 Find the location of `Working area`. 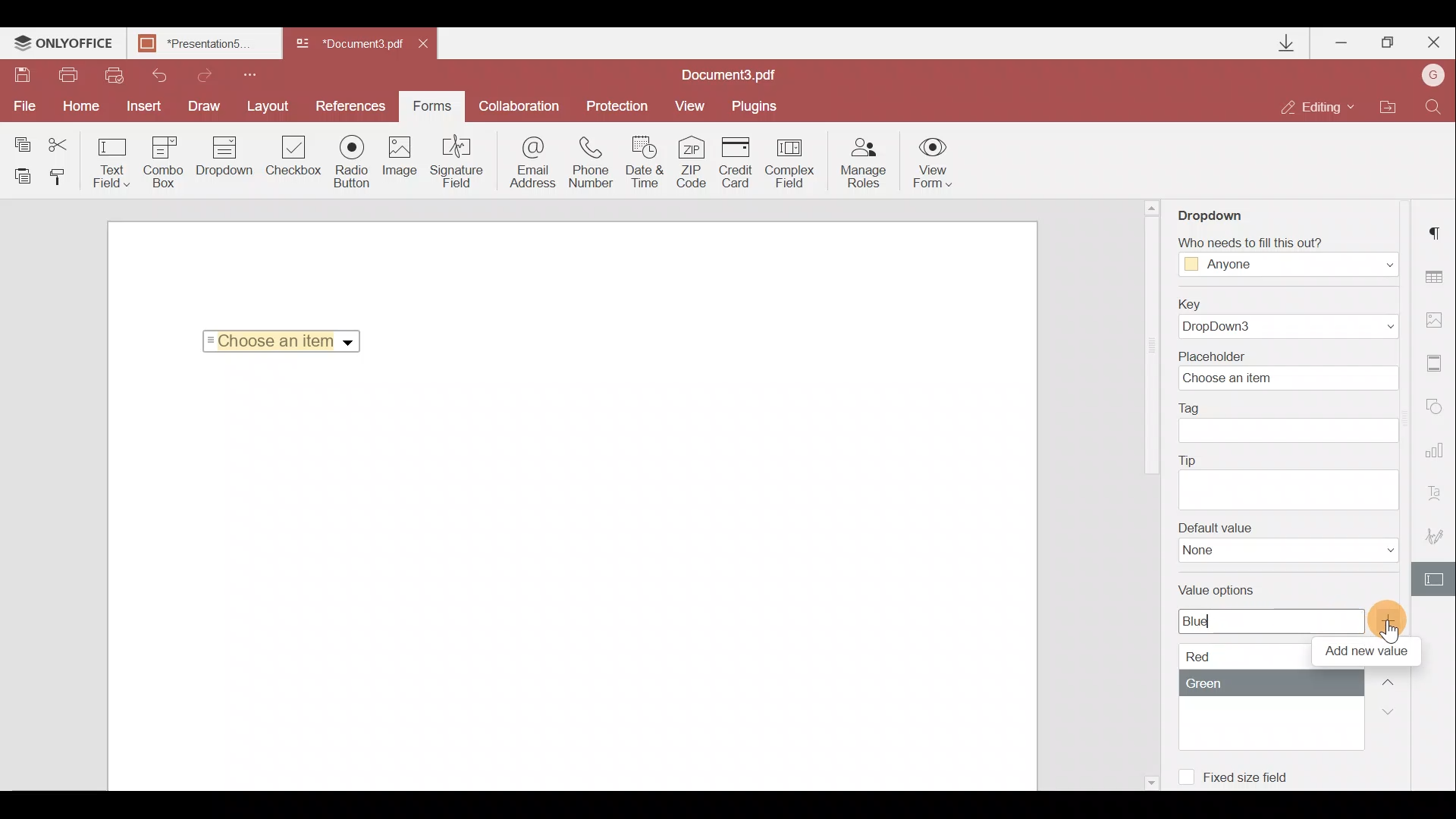

Working area is located at coordinates (570, 579).